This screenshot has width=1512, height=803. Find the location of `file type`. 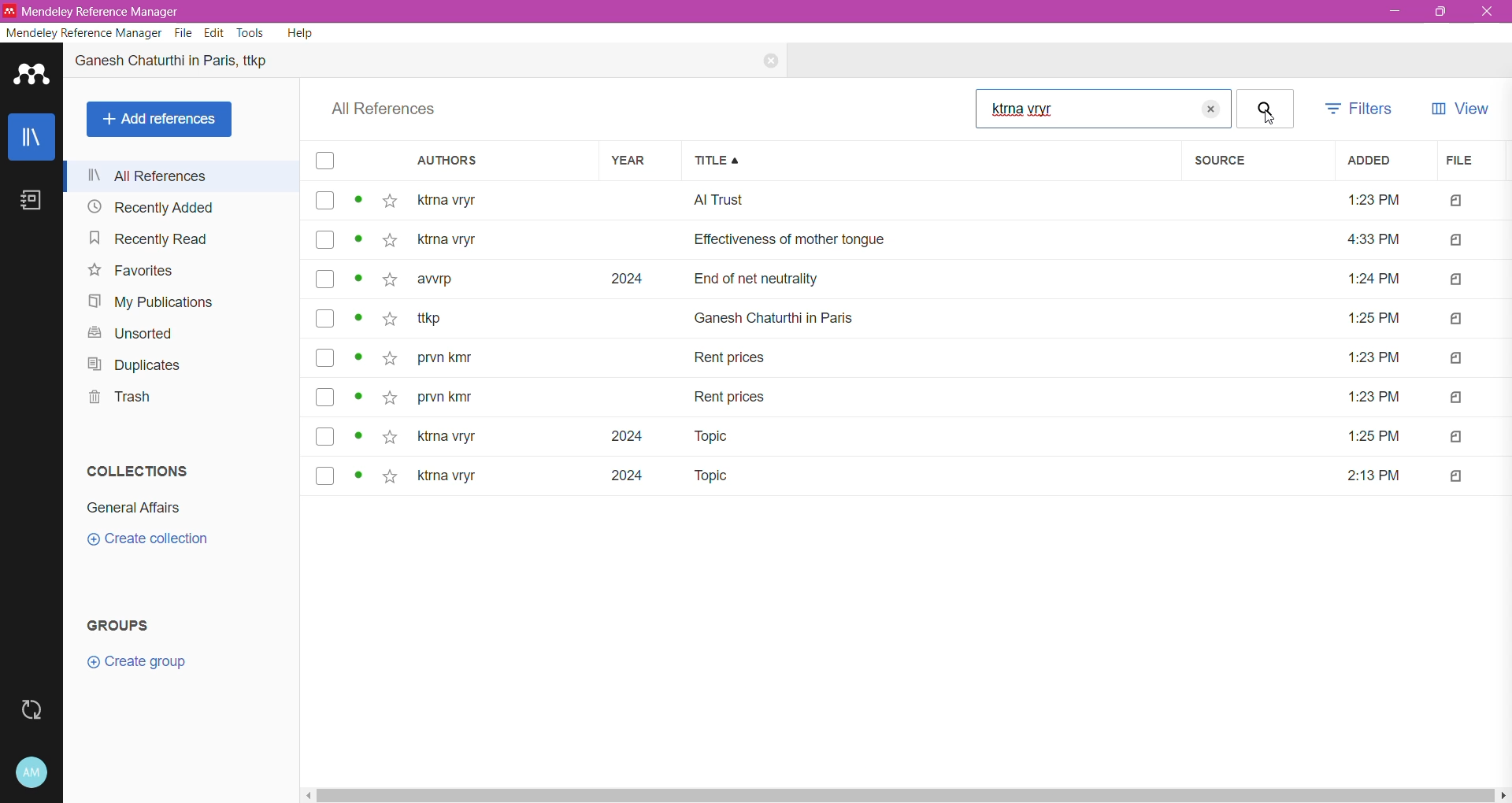

file type is located at coordinates (1457, 398).